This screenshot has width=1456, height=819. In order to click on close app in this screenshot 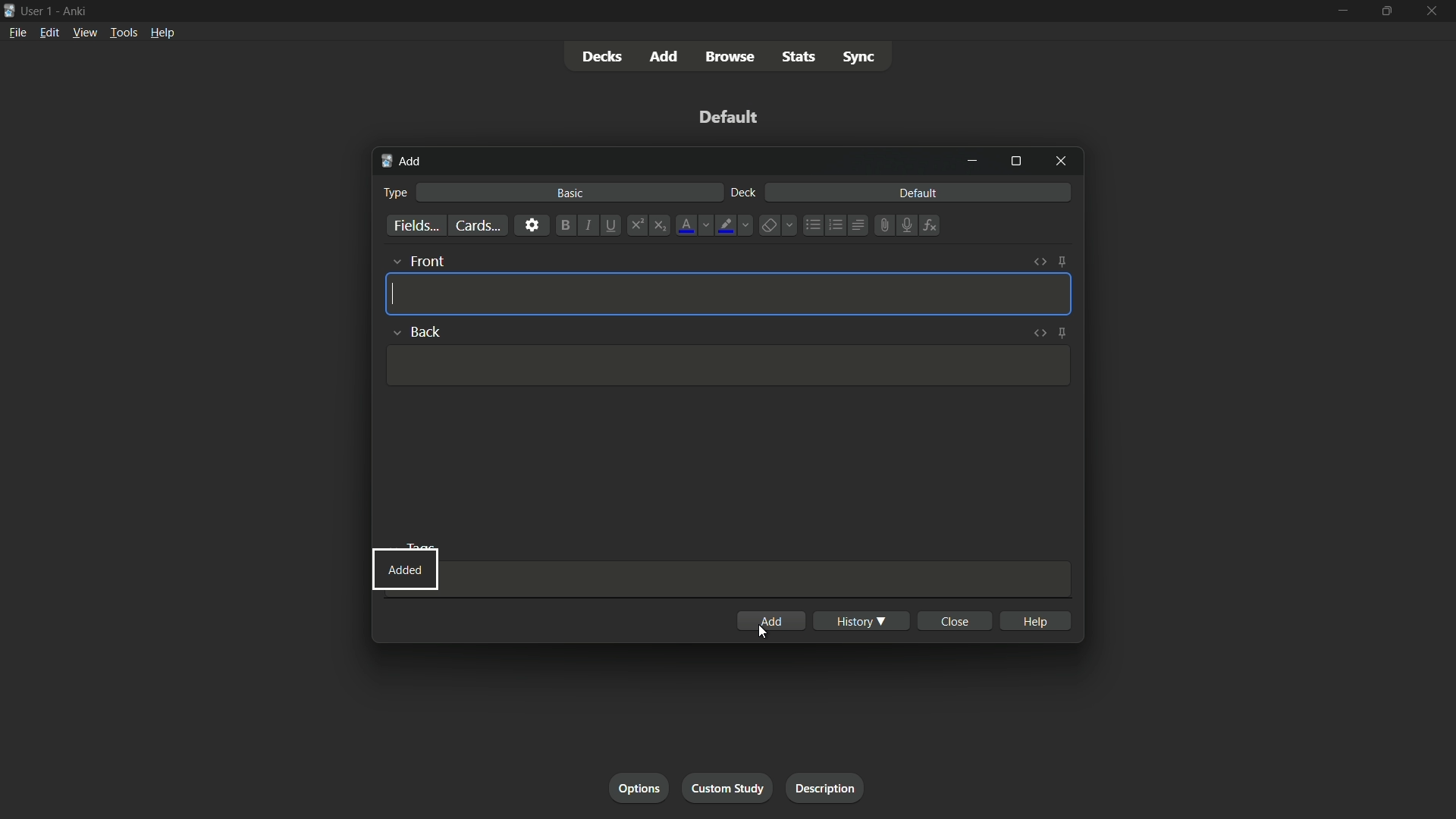, I will do `click(1433, 11)`.